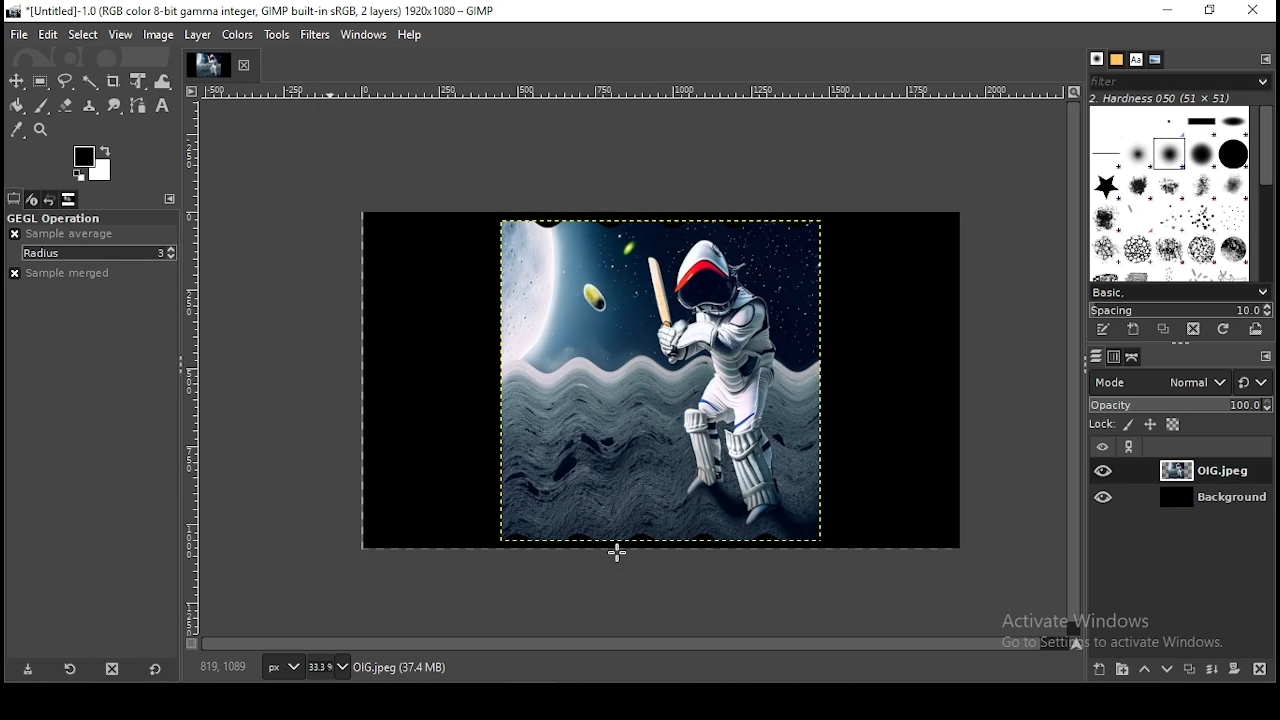 The height and width of the screenshot is (720, 1280). Describe the element at coordinates (1106, 470) in the screenshot. I see `layer visibility` at that location.